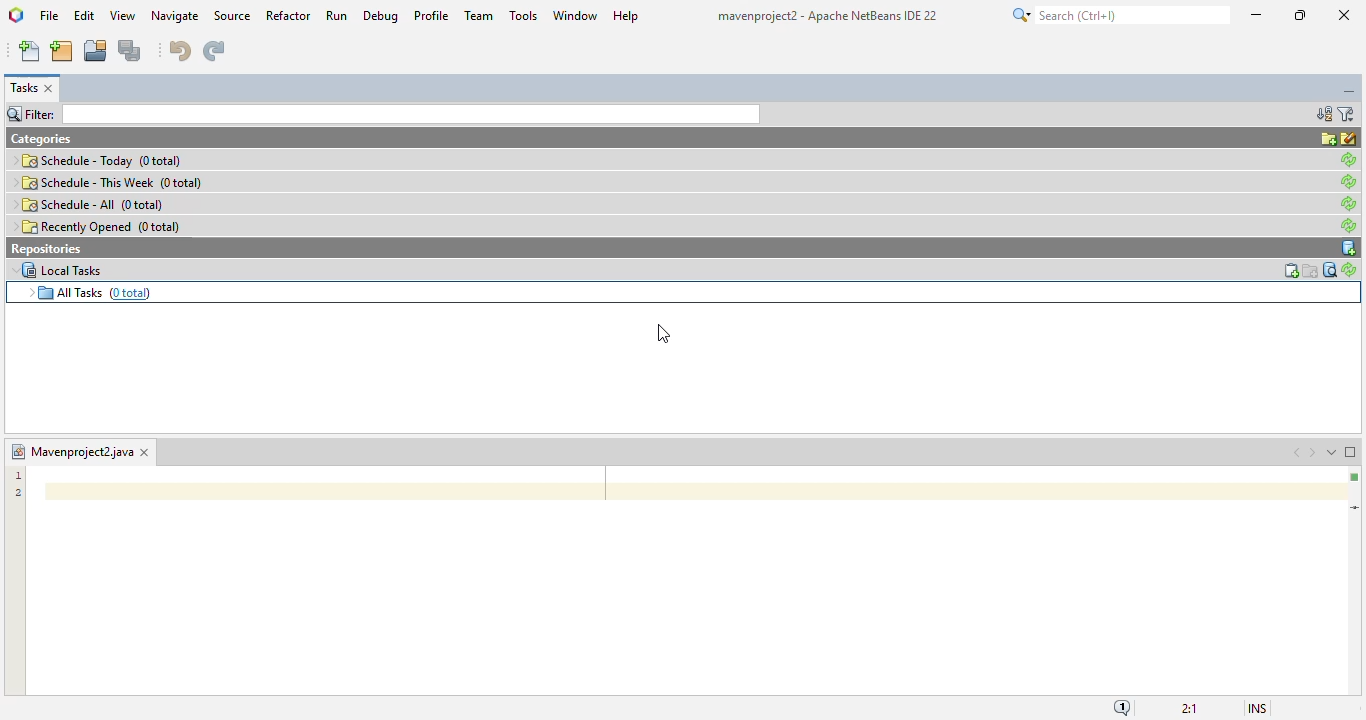  Describe the element at coordinates (175, 16) in the screenshot. I see `navigate` at that location.